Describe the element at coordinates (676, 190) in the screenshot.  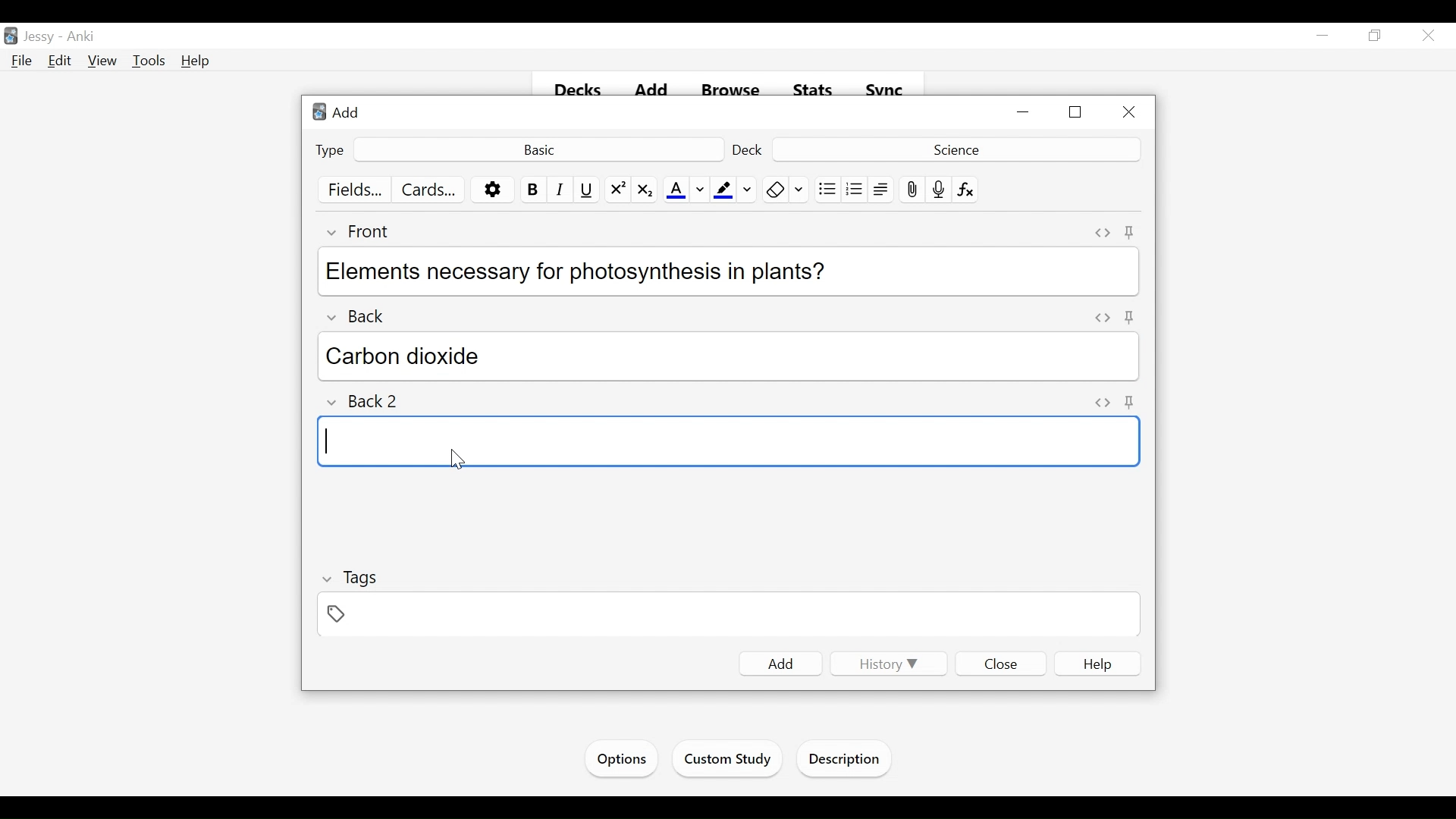
I see `Text Color` at that location.